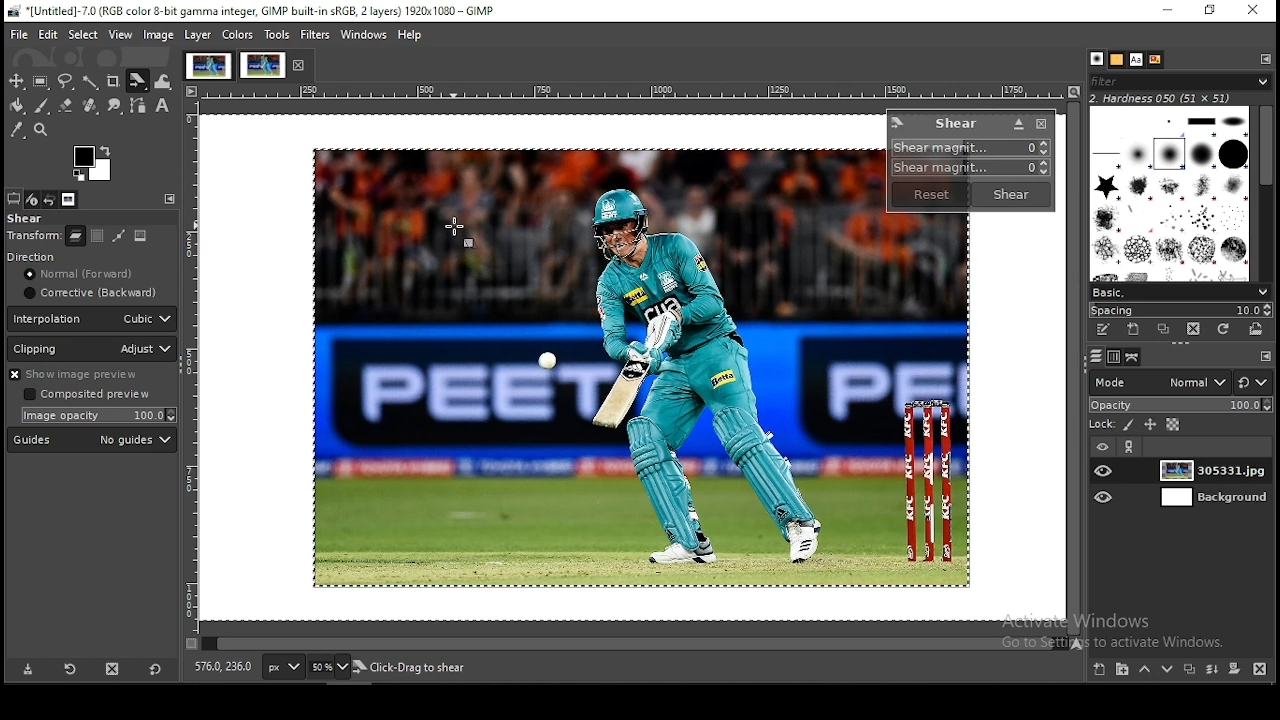 Image resolution: width=1280 pixels, height=720 pixels. What do you see at coordinates (158, 35) in the screenshot?
I see `image` at bounding box center [158, 35].